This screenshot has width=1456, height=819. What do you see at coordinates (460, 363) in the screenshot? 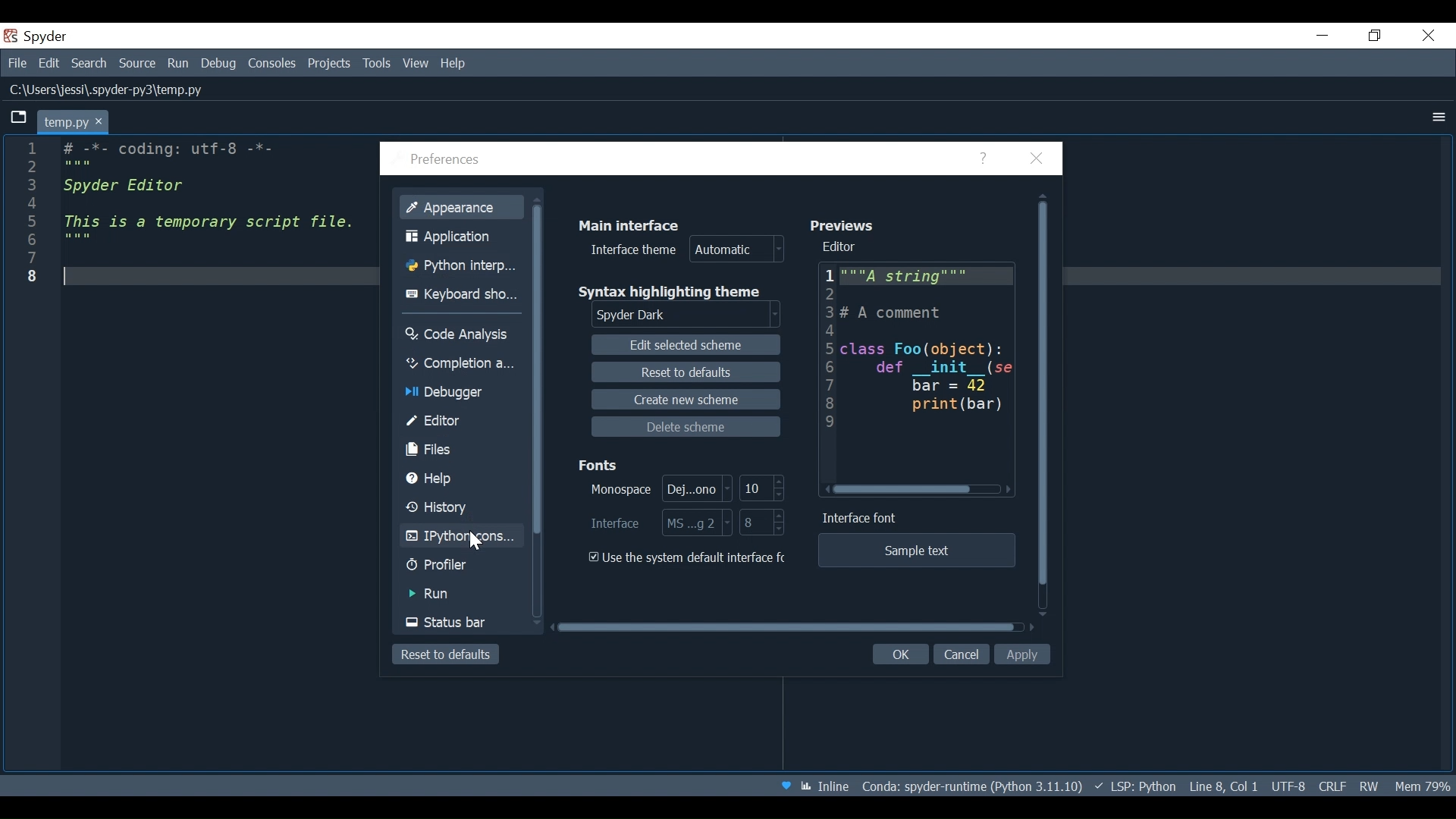
I see `Completion analysis` at bounding box center [460, 363].